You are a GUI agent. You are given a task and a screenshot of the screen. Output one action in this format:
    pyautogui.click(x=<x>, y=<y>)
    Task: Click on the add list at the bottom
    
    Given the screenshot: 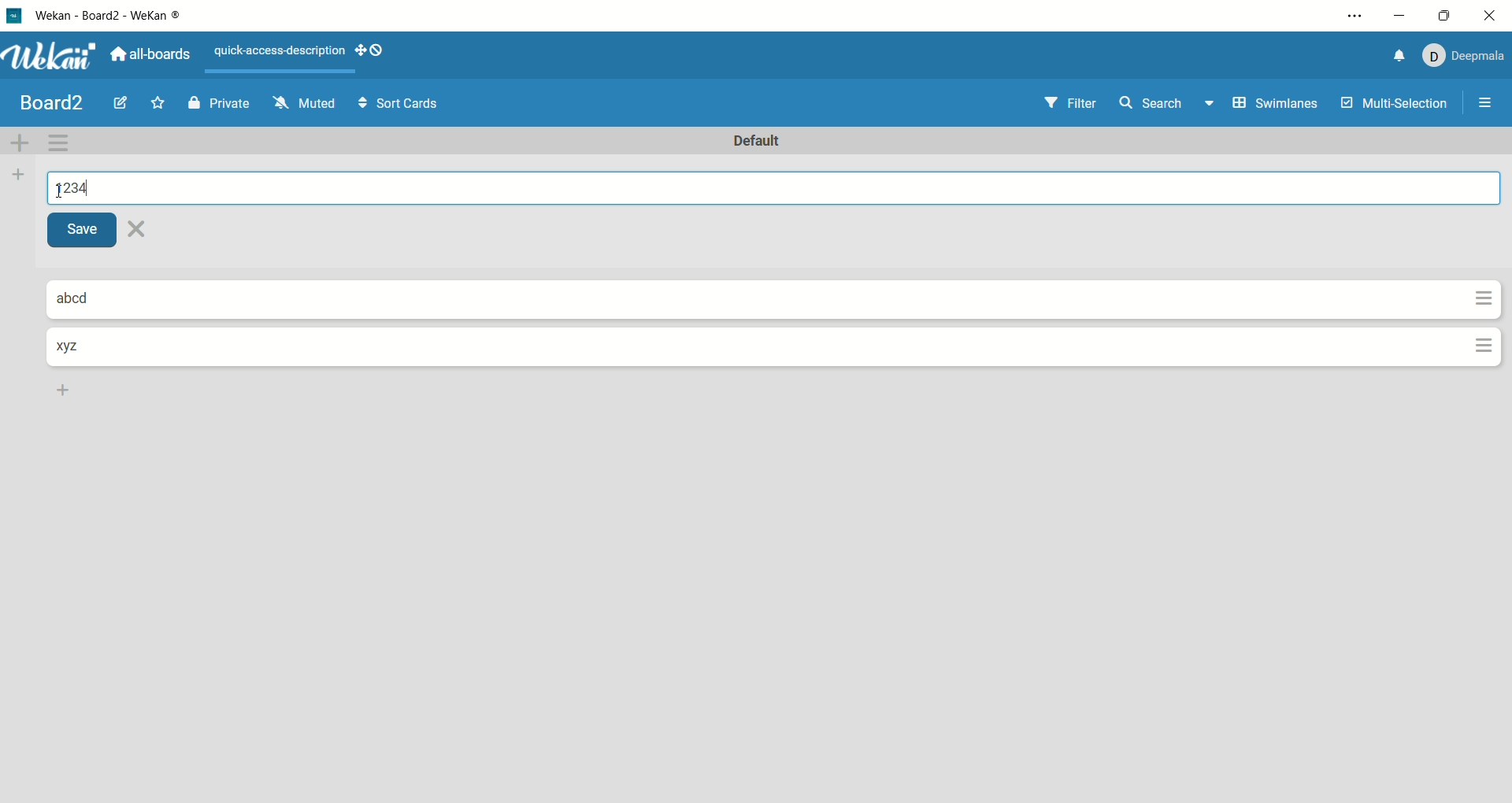 What is the action you would take?
    pyautogui.click(x=65, y=390)
    